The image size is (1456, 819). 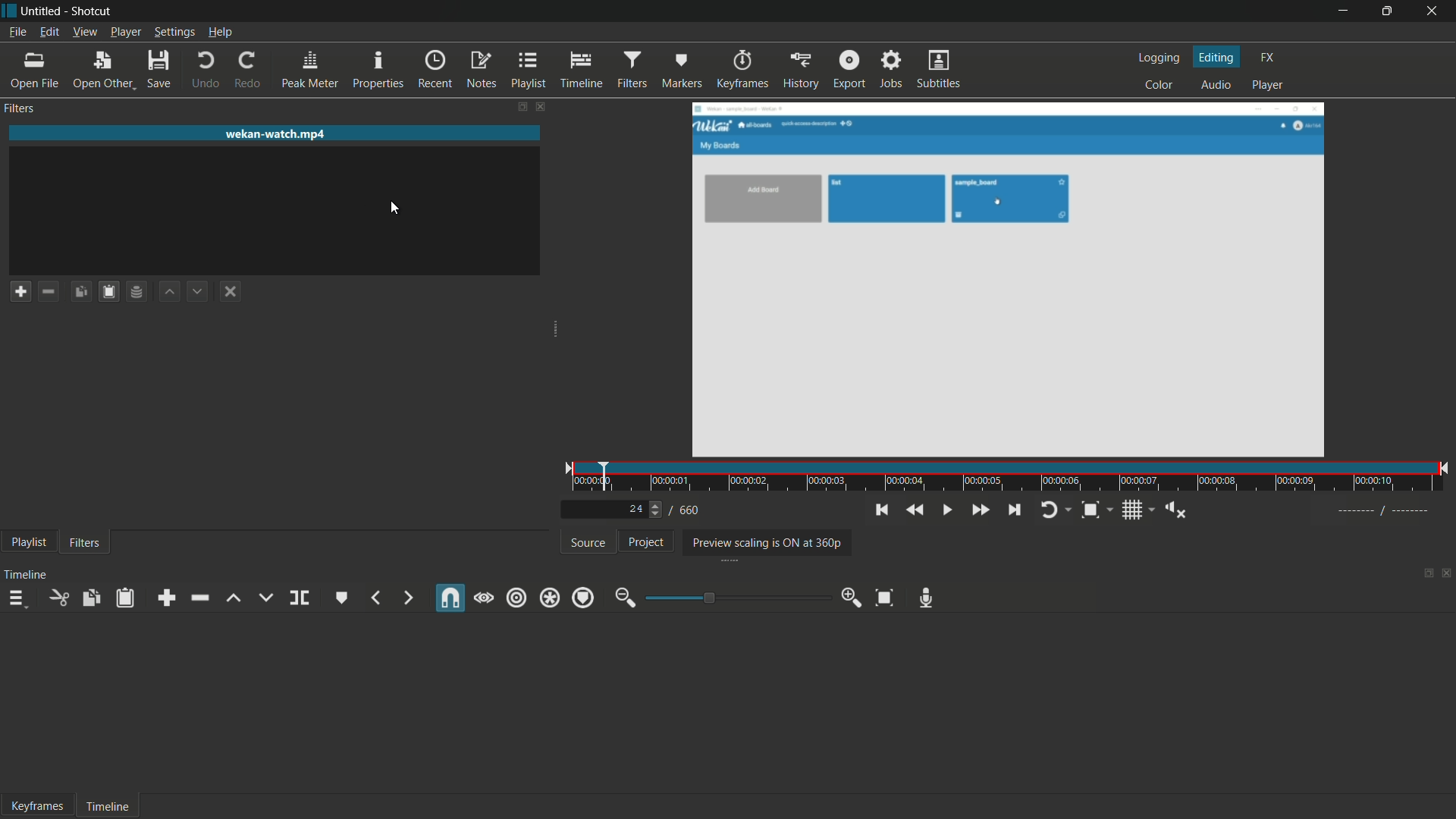 What do you see at coordinates (1216, 57) in the screenshot?
I see `editing` at bounding box center [1216, 57].